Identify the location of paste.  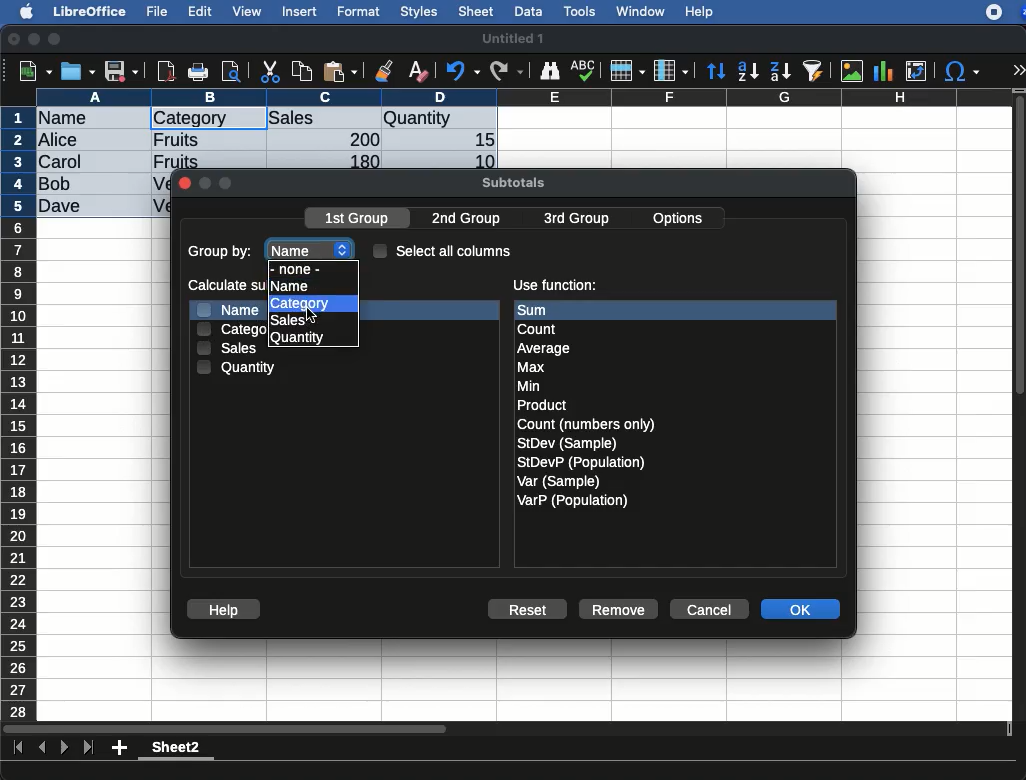
(339, 71).